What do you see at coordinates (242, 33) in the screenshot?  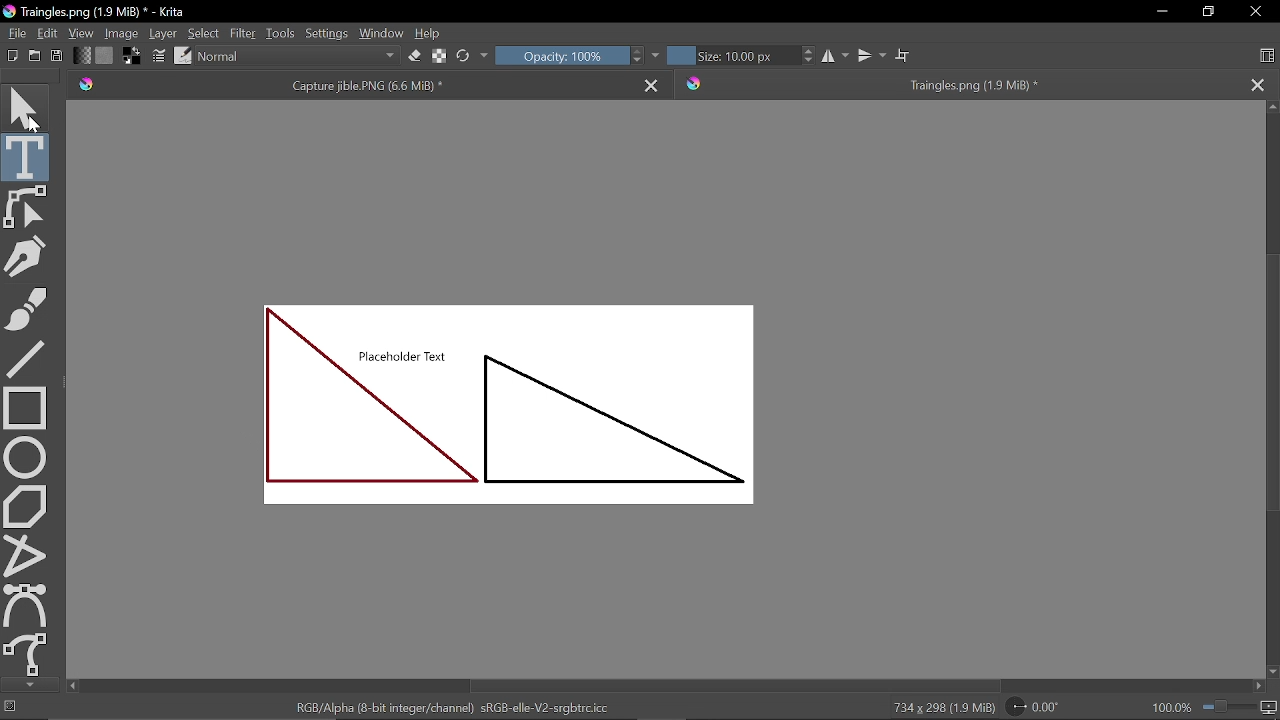 I see `Filter` at bounding box center [242, 33].